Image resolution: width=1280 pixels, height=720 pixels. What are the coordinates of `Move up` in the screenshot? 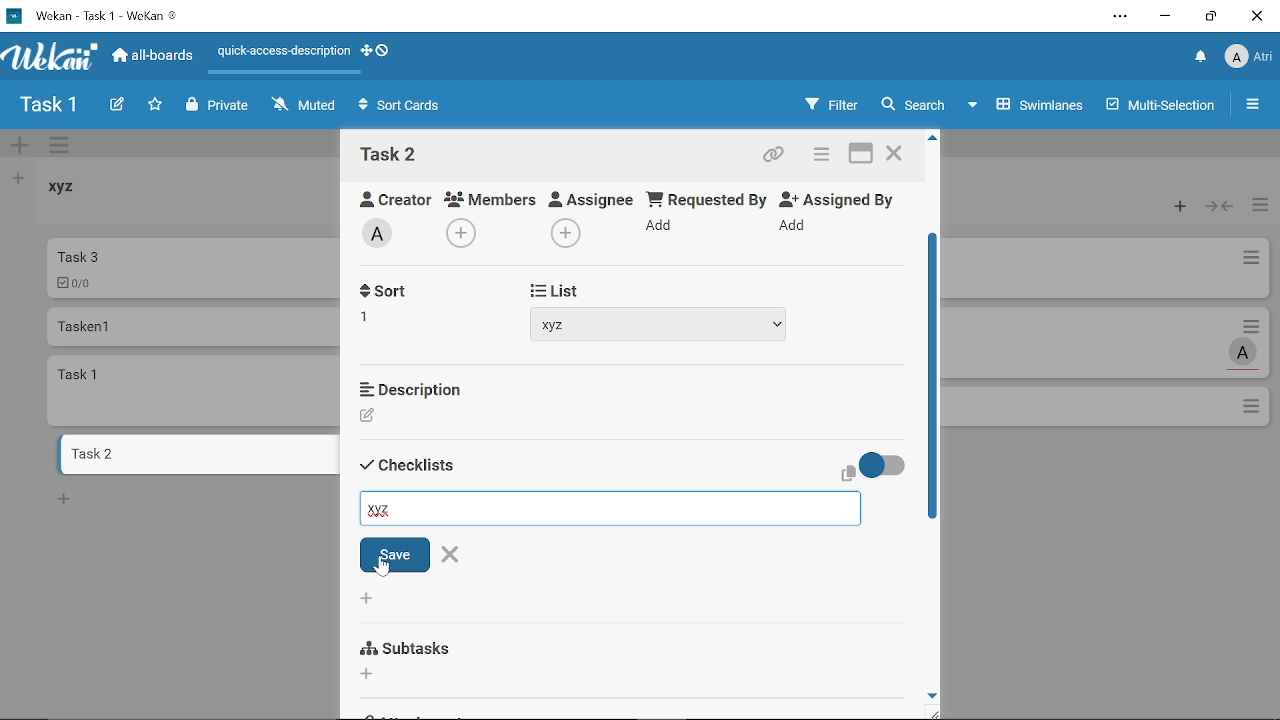 It's located at (933, 138).